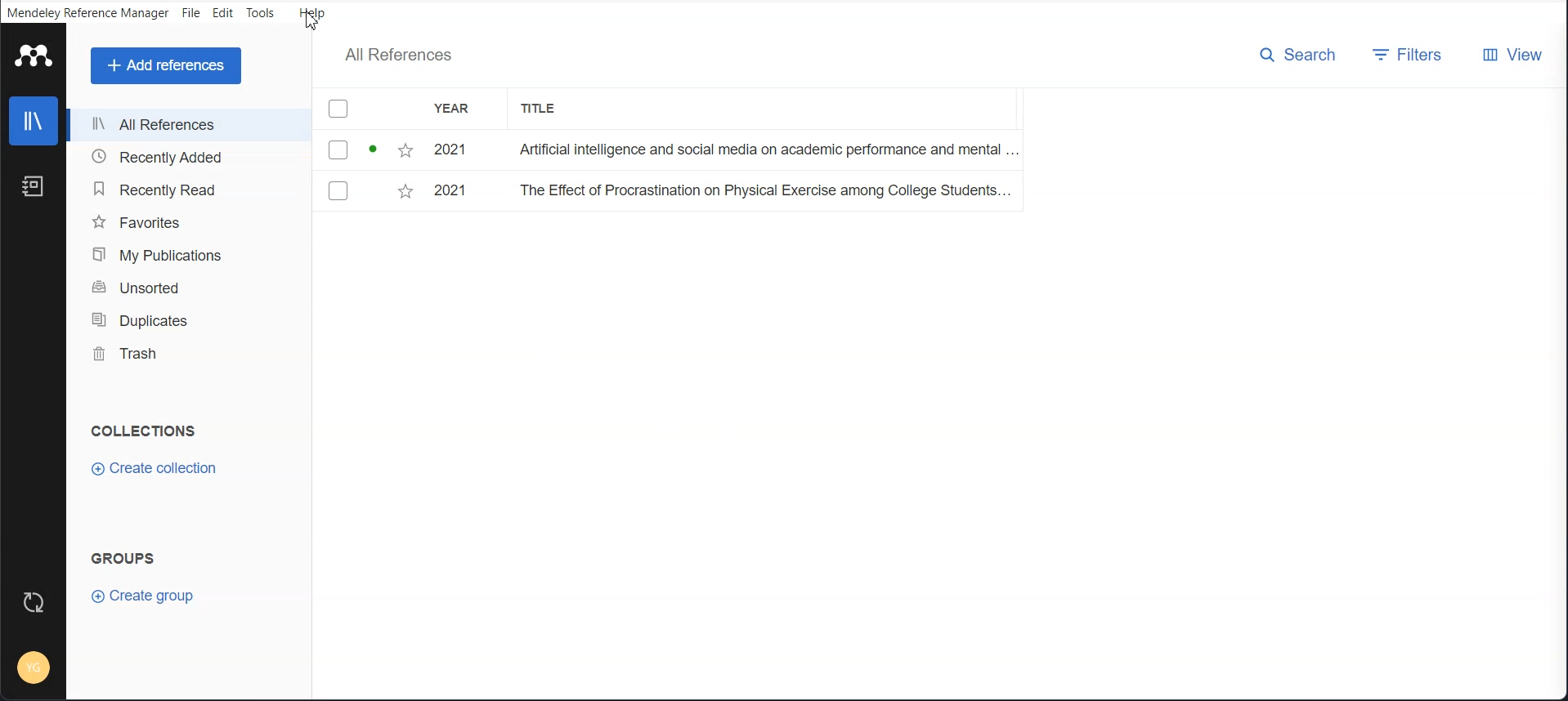  Describe the element at coordinates (146, 596) in the screenshot. I see `Create group` at that location.